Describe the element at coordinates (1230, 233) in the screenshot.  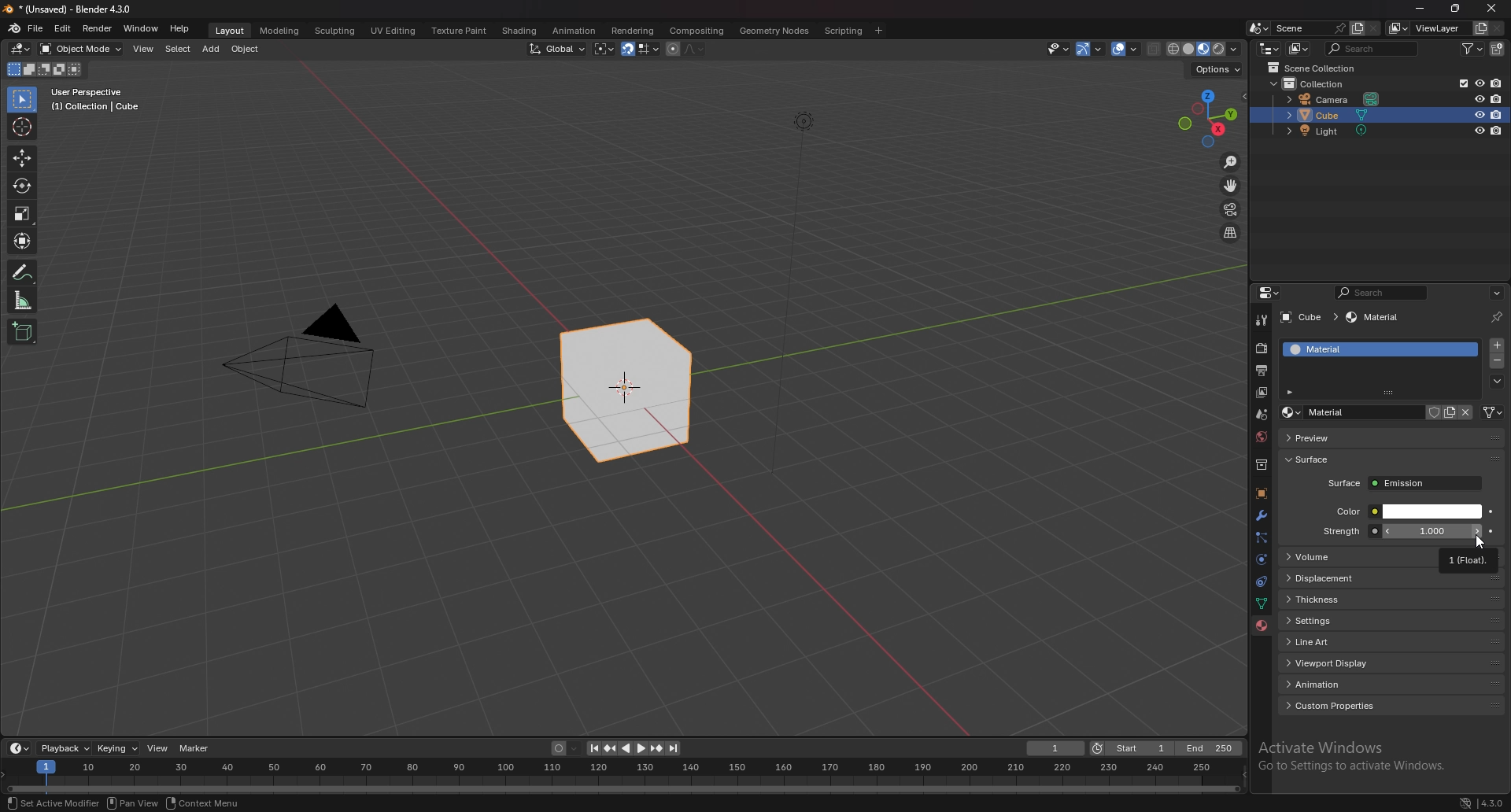
I see `perspective/orthographic mode` at that location.